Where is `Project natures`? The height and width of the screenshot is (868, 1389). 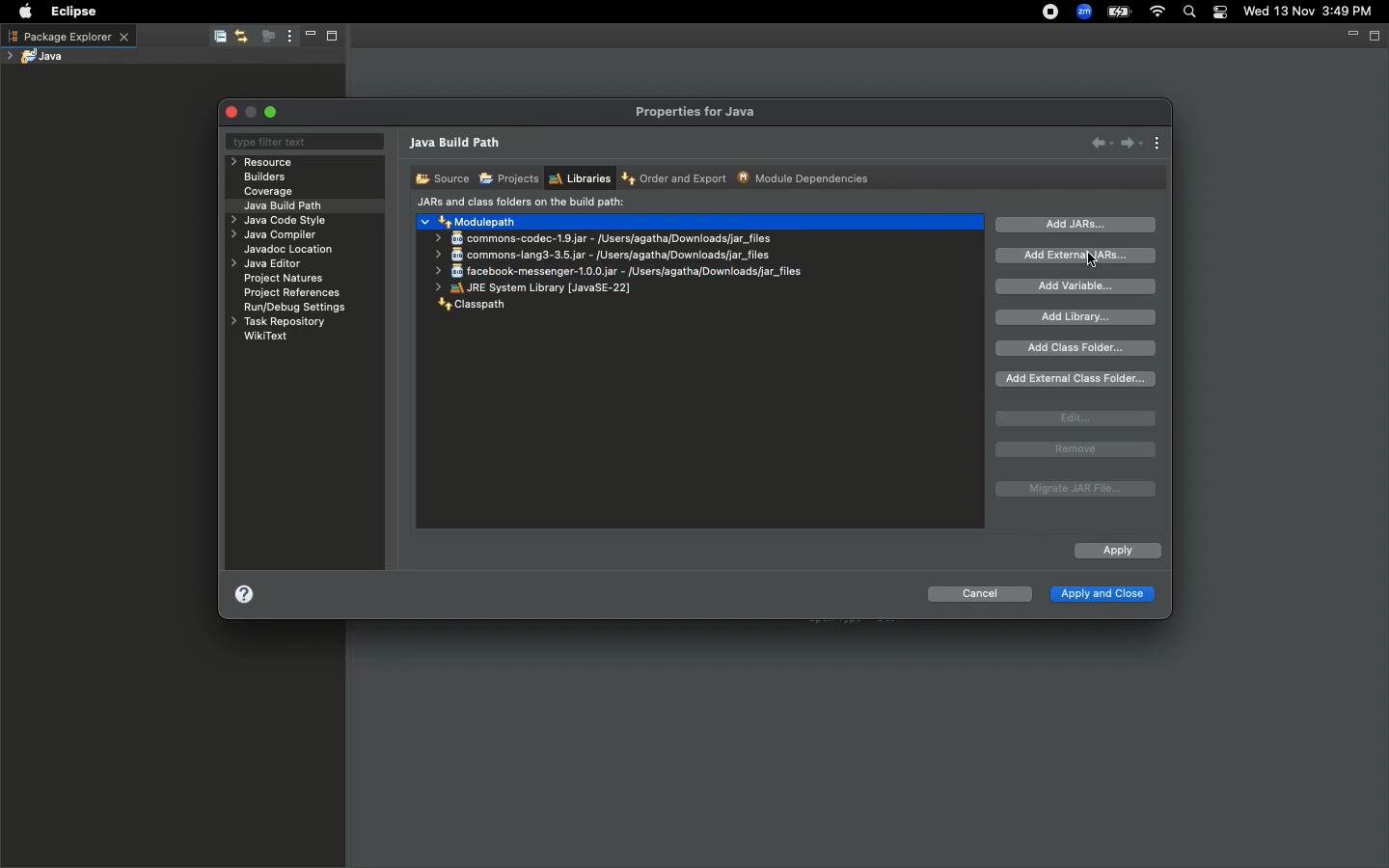
Project natures is located at coordinates (287, 281).